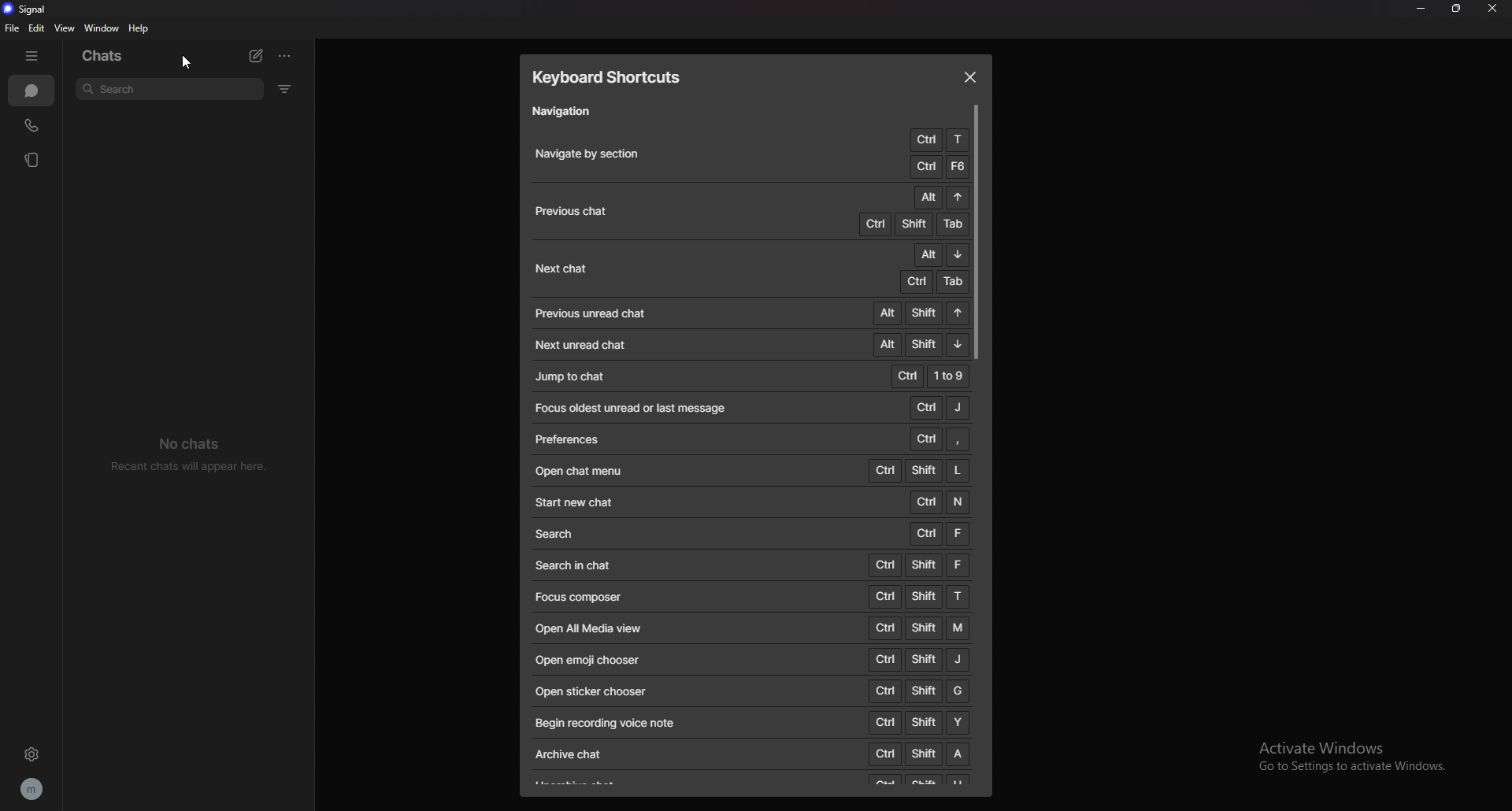 This screenshot has height=811, width=1512. Describe the element at coordinates (591, 691) in the screenshot. I see `open sticker chooser` at that location.